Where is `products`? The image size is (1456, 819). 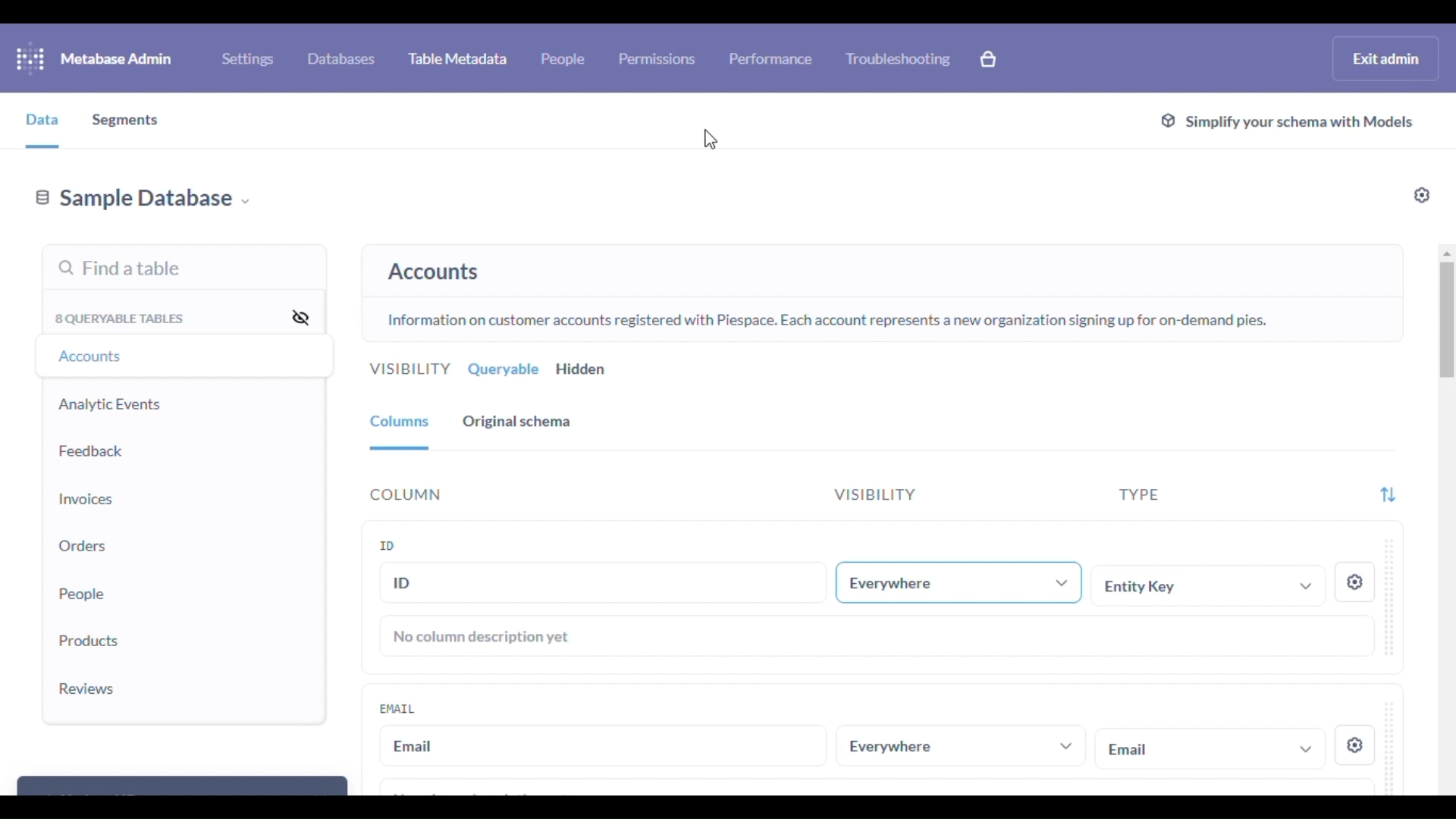
products is located at coordinates (91, 641).